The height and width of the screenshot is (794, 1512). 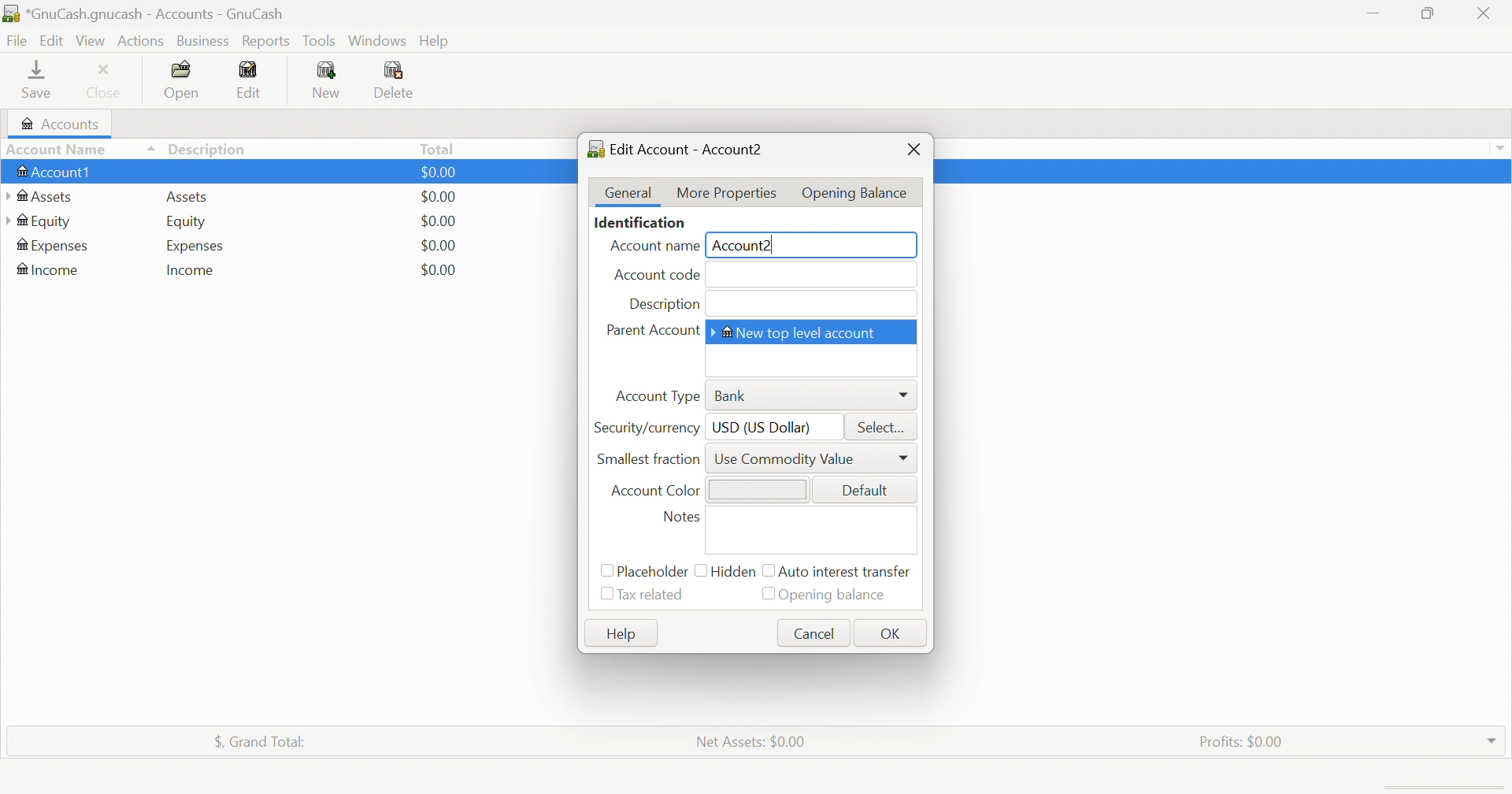 I want to click on Accounts, so click(x=62, y=124).